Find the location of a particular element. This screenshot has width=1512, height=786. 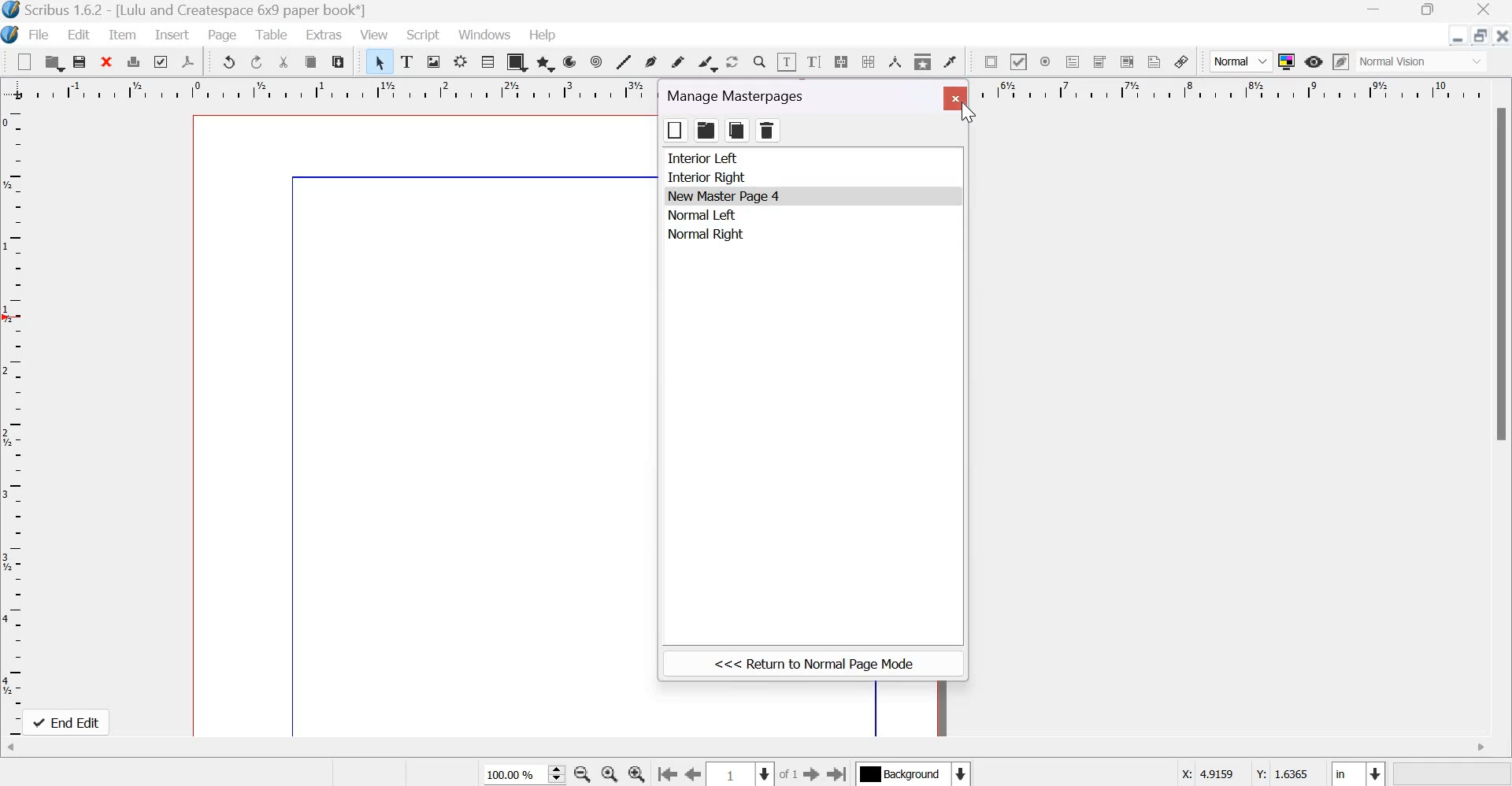

manage masterpages is located at coordinates (740, 95).